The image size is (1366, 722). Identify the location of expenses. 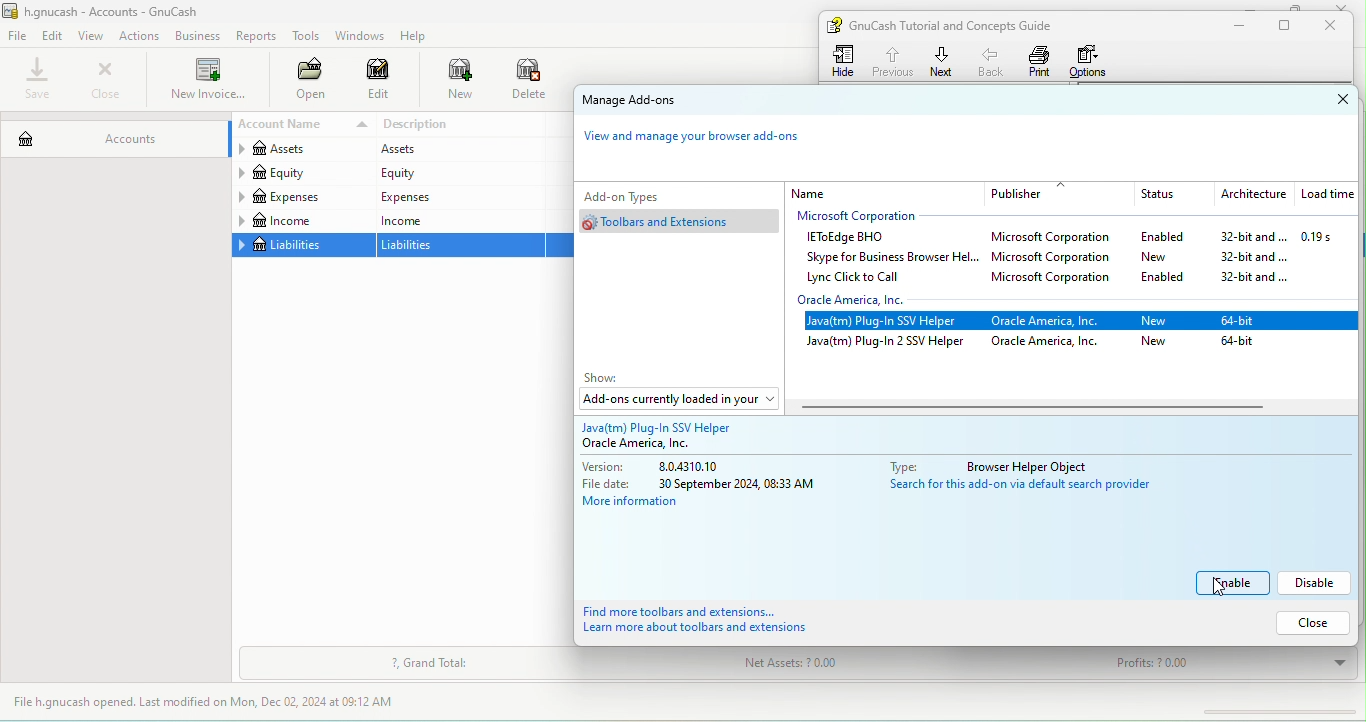
(302, 197).